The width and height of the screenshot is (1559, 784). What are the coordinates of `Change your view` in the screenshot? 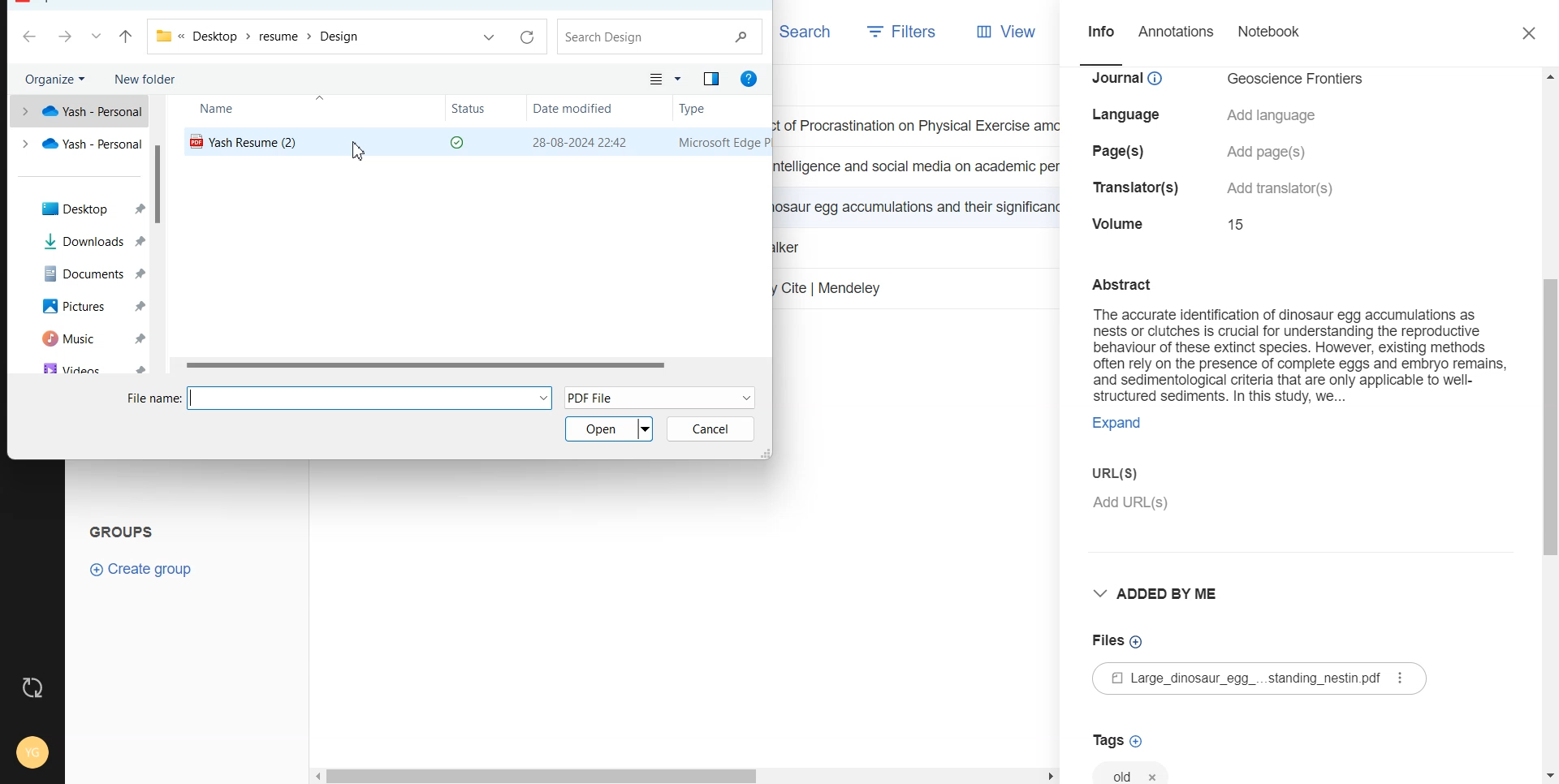 It's located at (666, 79).